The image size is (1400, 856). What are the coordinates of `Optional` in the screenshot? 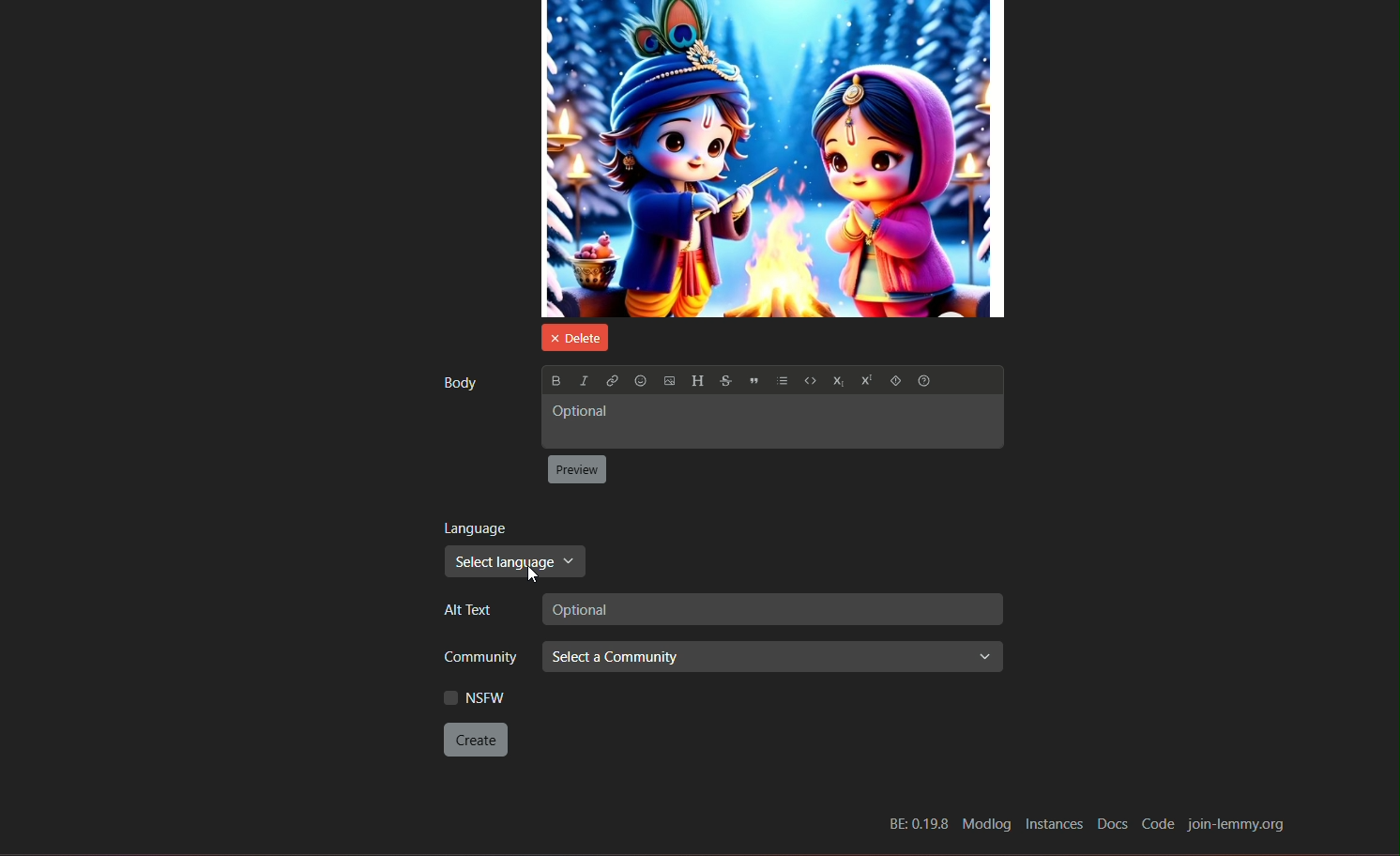 It's located at (770, 609).